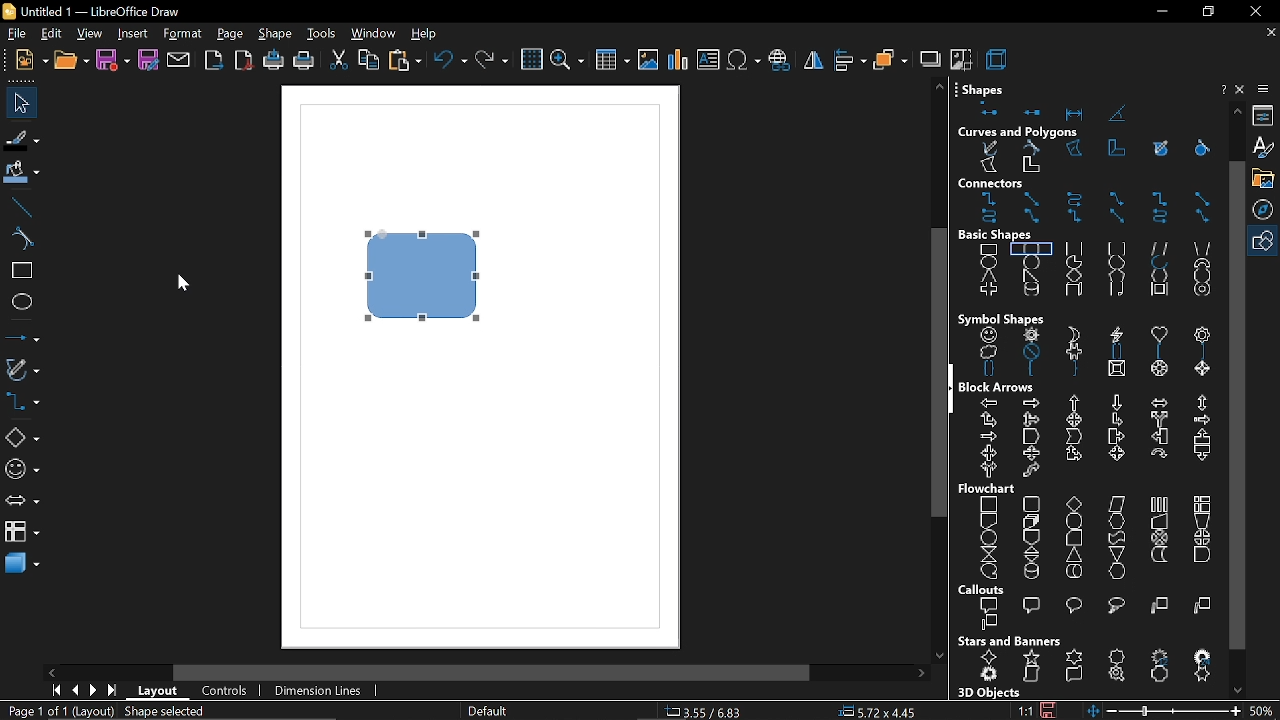  What do you see at coordinates (1093, 209) in the screenshot?
I see `connectors` at bounding box center [1093, 209].